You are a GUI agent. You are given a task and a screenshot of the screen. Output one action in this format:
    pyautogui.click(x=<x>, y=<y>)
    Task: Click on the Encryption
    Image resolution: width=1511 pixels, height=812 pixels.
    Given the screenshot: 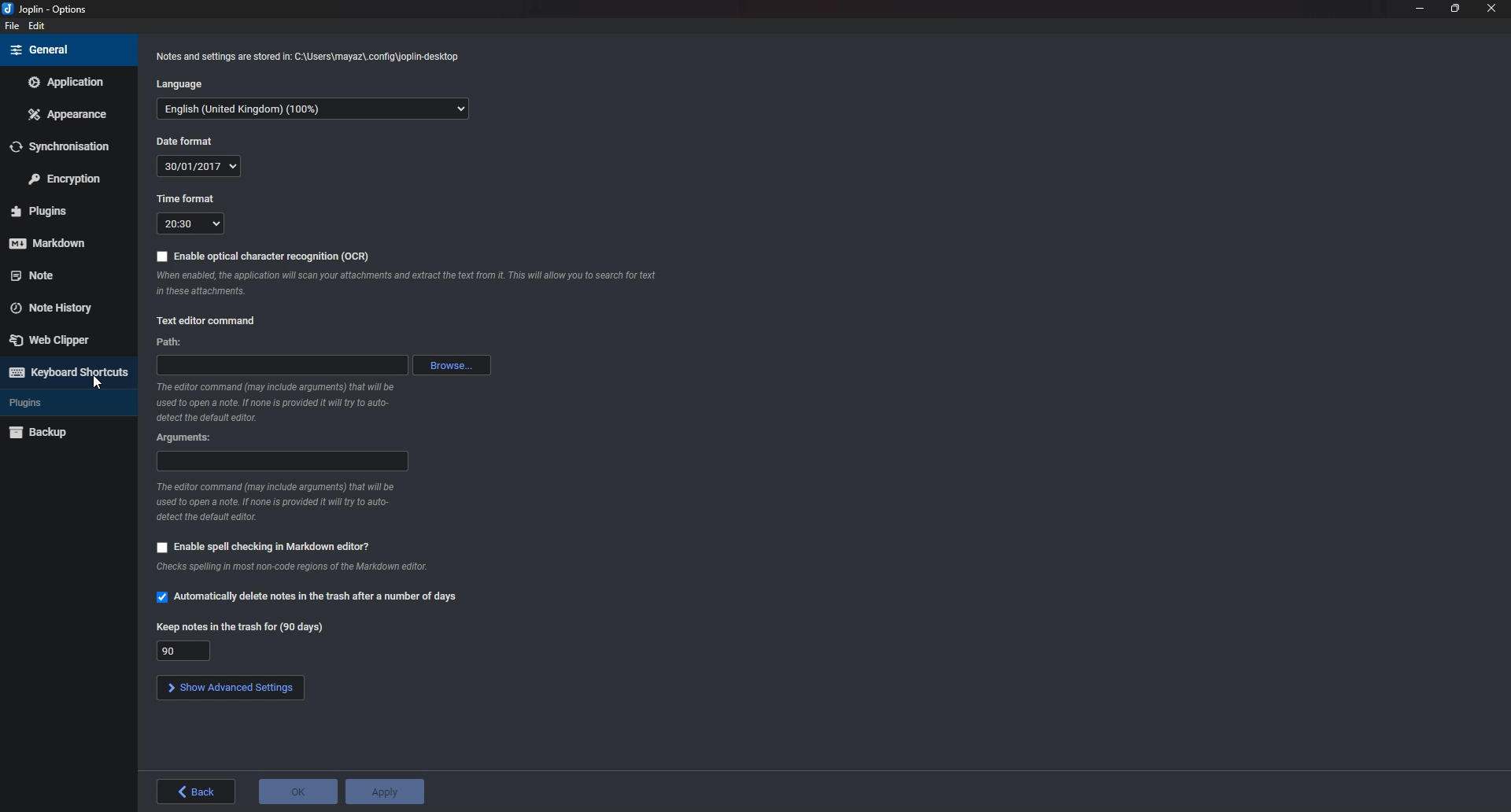 What is the action you would take?
    pyautogui.click(x=70, y=177)
    